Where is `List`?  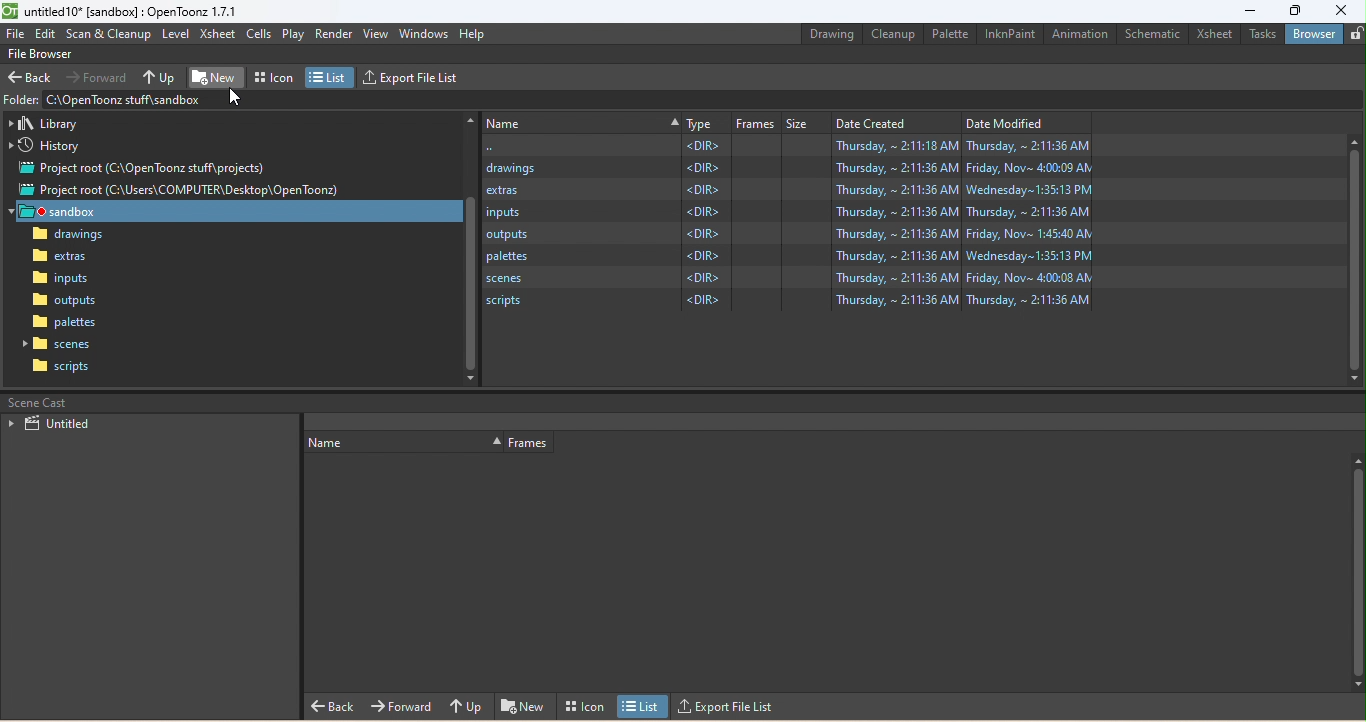 List is located at coordinates (330, 75).